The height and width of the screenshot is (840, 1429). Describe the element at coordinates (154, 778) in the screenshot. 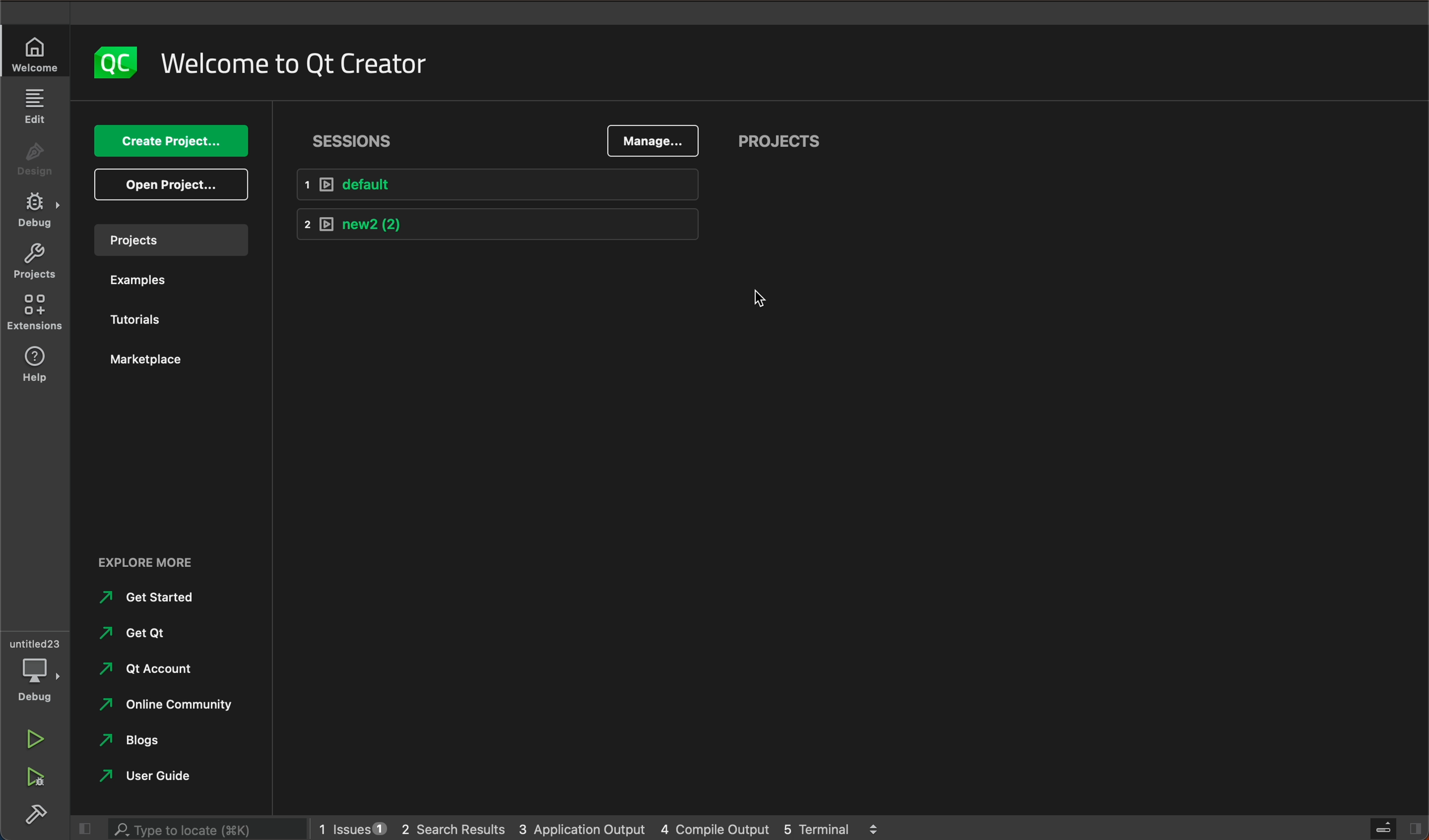

I see `user guide` at that location.